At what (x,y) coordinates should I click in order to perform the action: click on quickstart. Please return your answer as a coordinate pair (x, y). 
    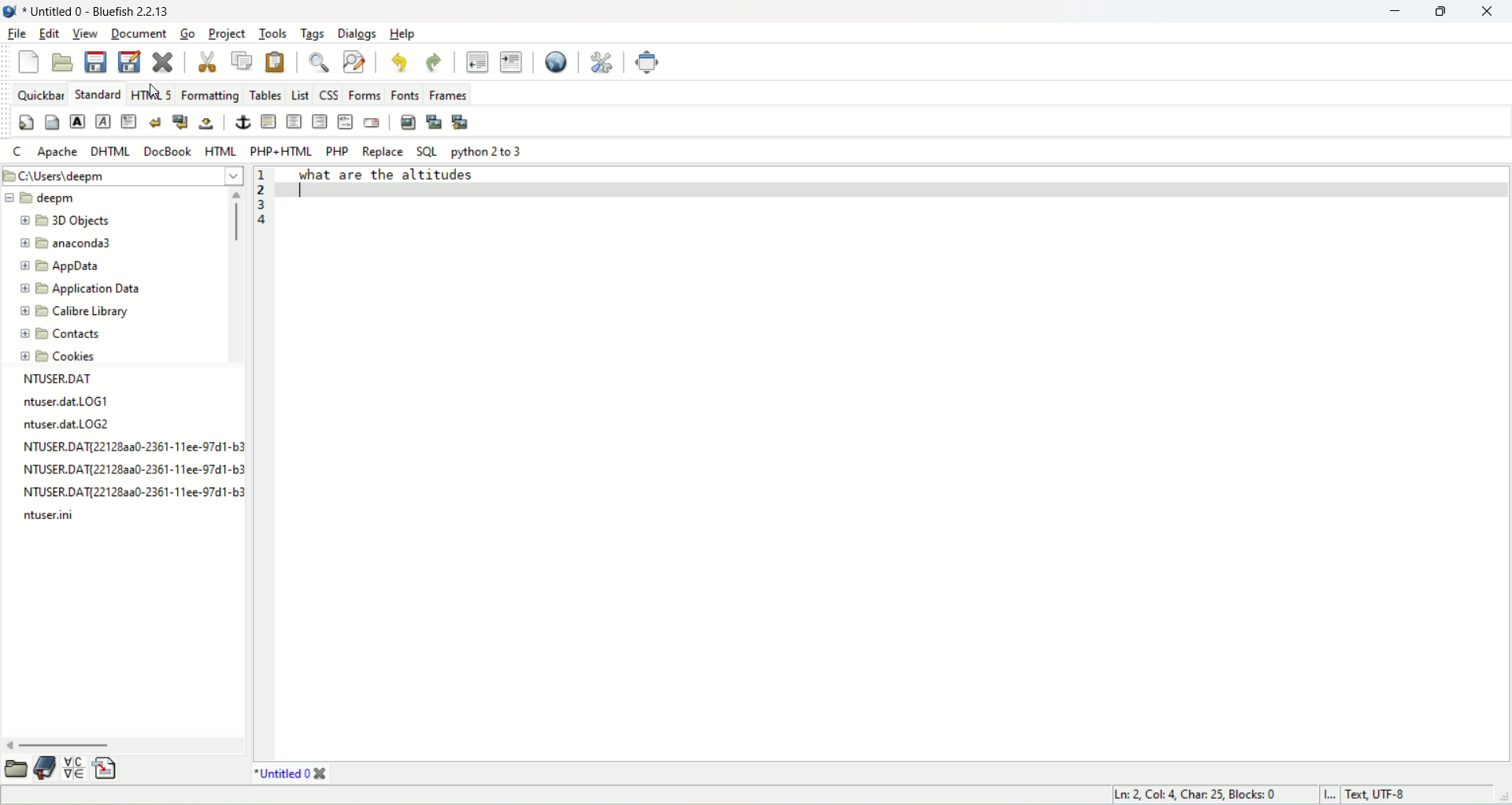
    Looking at the image, I should click on (27, 121).